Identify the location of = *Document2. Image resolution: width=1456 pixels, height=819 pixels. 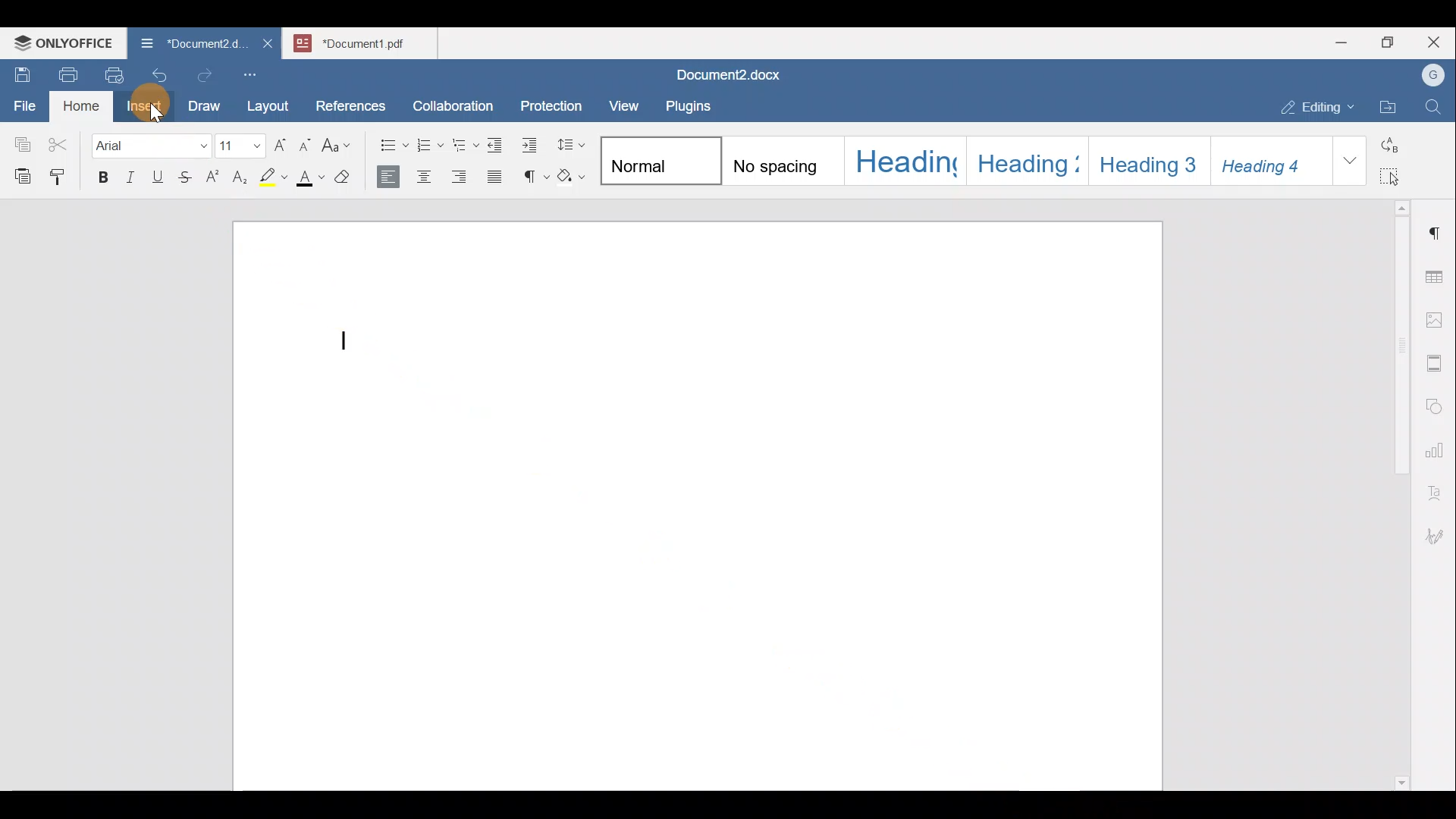
(187, 42).